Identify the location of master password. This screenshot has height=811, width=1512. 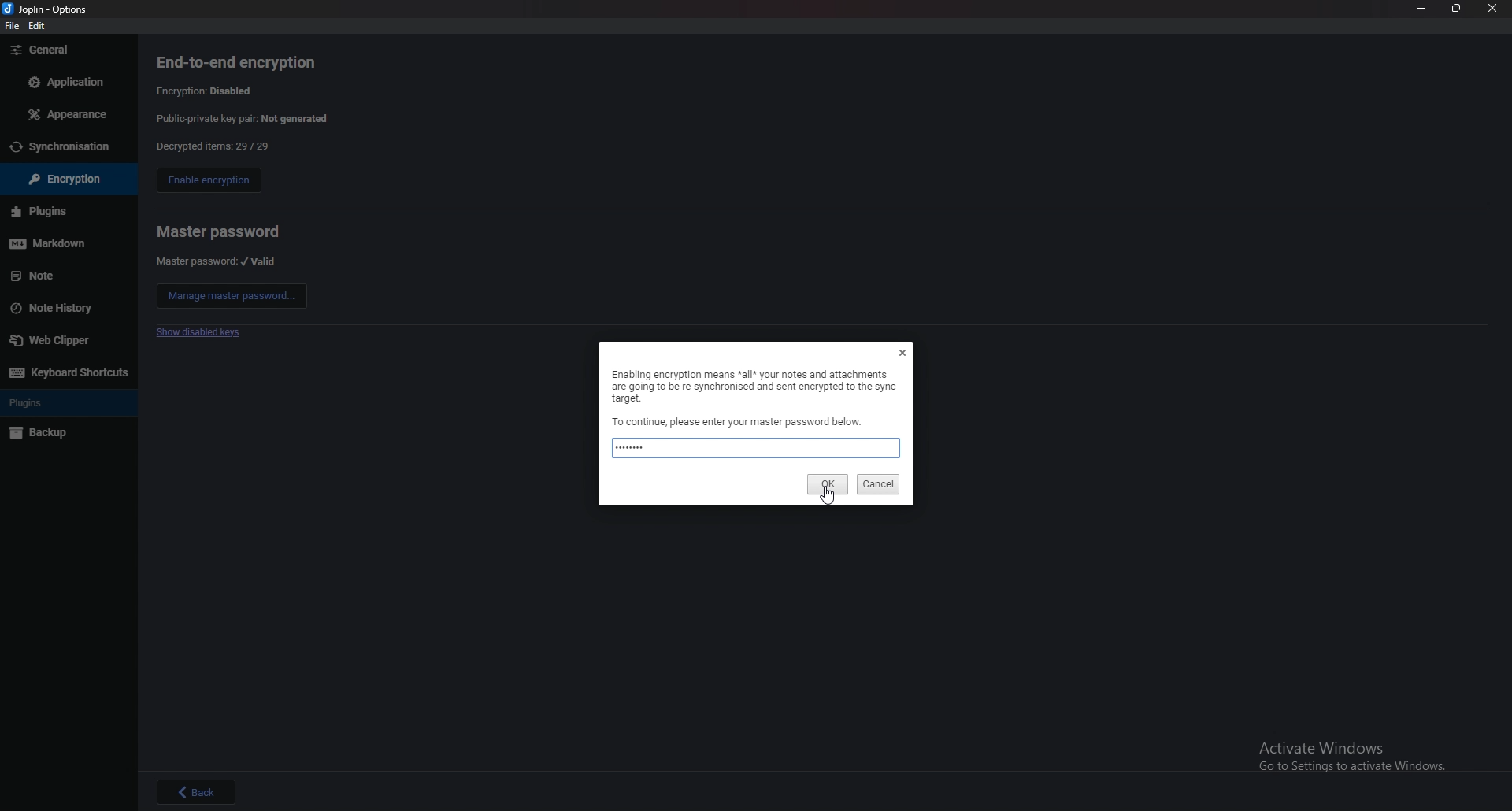
(220, 231).